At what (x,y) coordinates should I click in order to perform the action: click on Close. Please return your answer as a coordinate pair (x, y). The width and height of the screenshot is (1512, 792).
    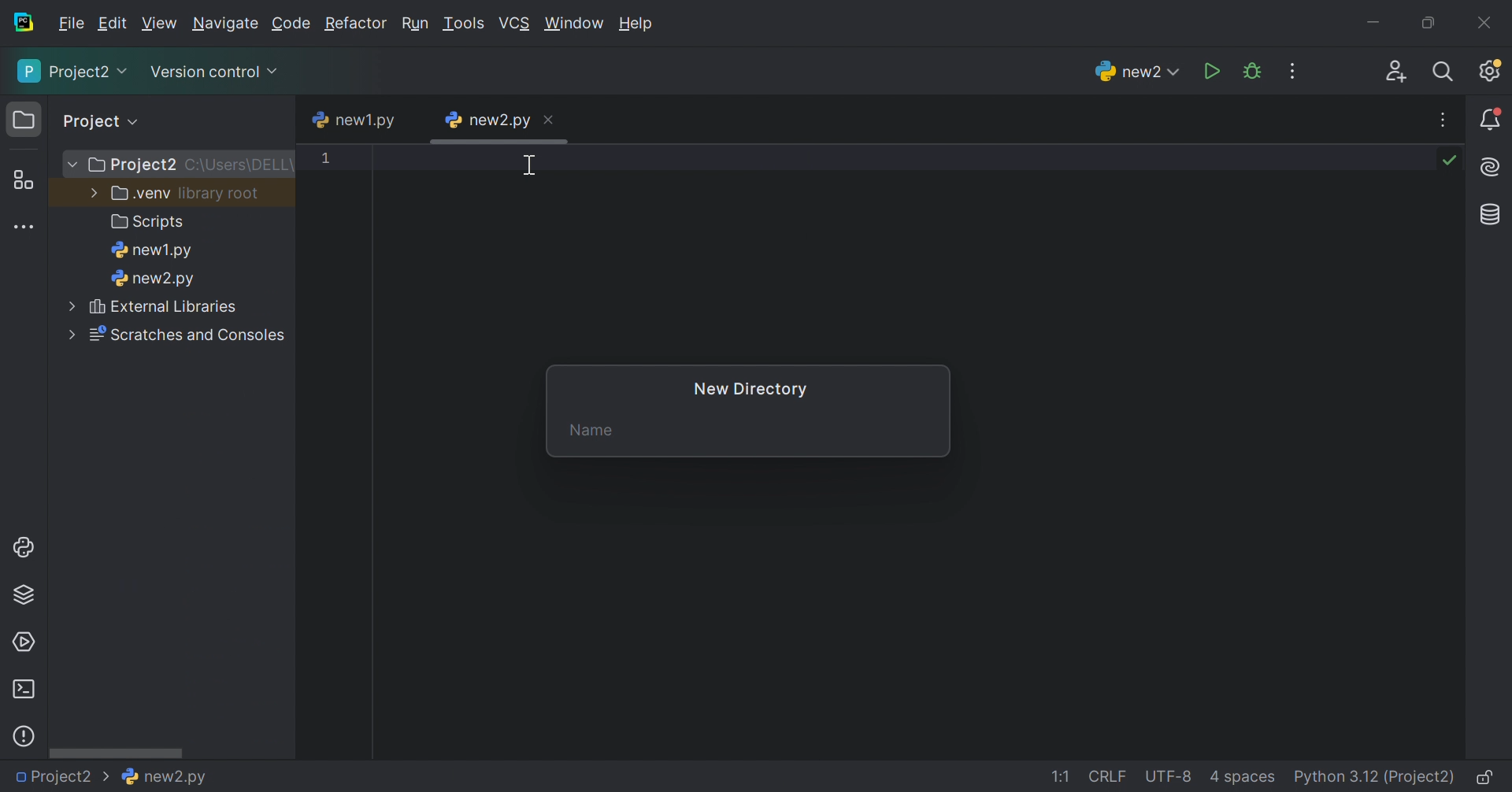
    Looking at the image, I should click on (1488, 19).